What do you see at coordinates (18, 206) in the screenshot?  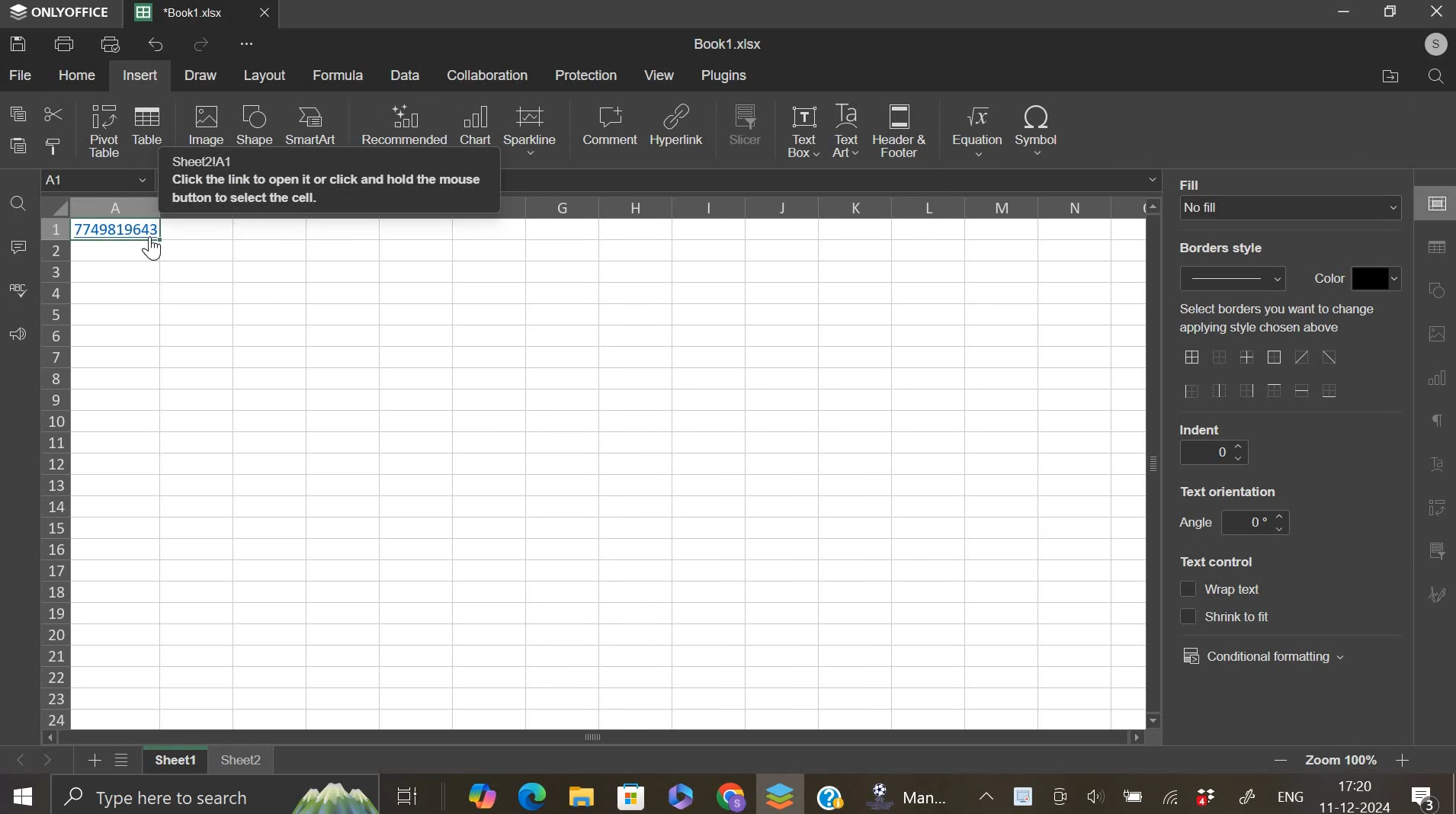 I see `find` at bounding box center [18, 206].